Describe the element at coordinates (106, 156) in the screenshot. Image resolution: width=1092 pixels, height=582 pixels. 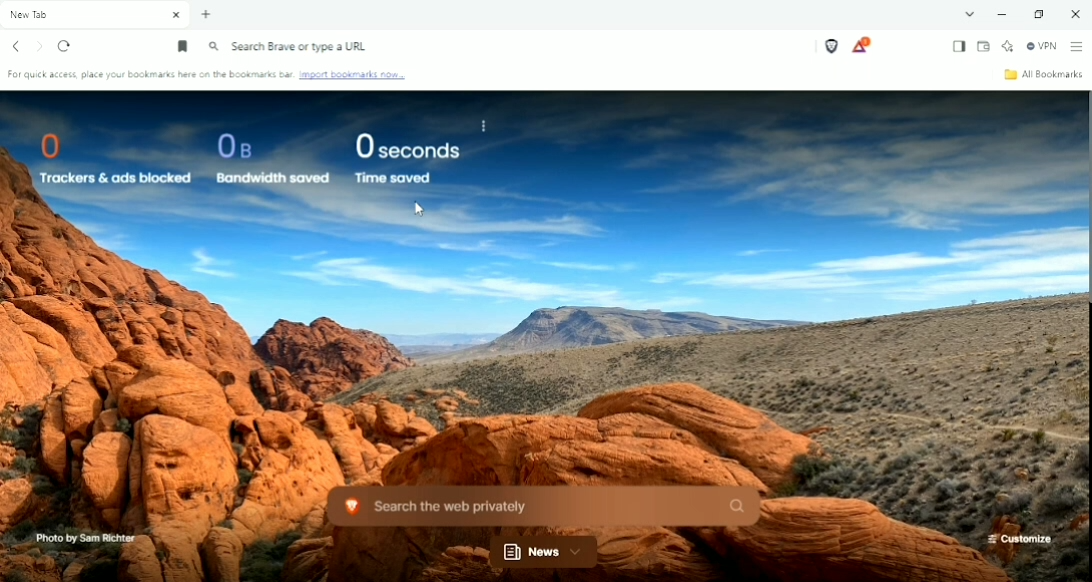
I see `0 Trackers & ads blocked` at that location.